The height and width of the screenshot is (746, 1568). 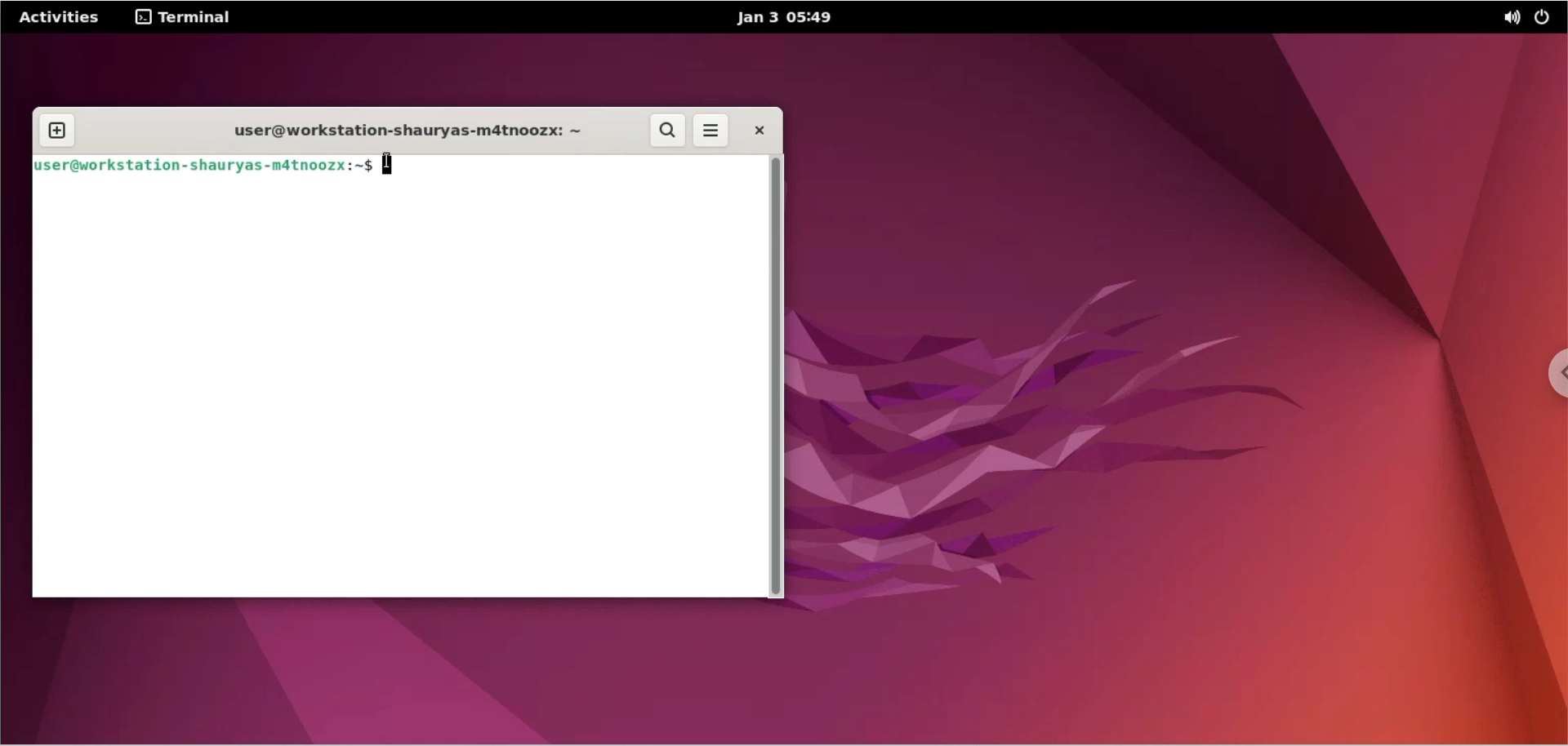 What do you see at coordinates (669, 131) in the screenshot?
I see `search` at bounding box center [669, 131].